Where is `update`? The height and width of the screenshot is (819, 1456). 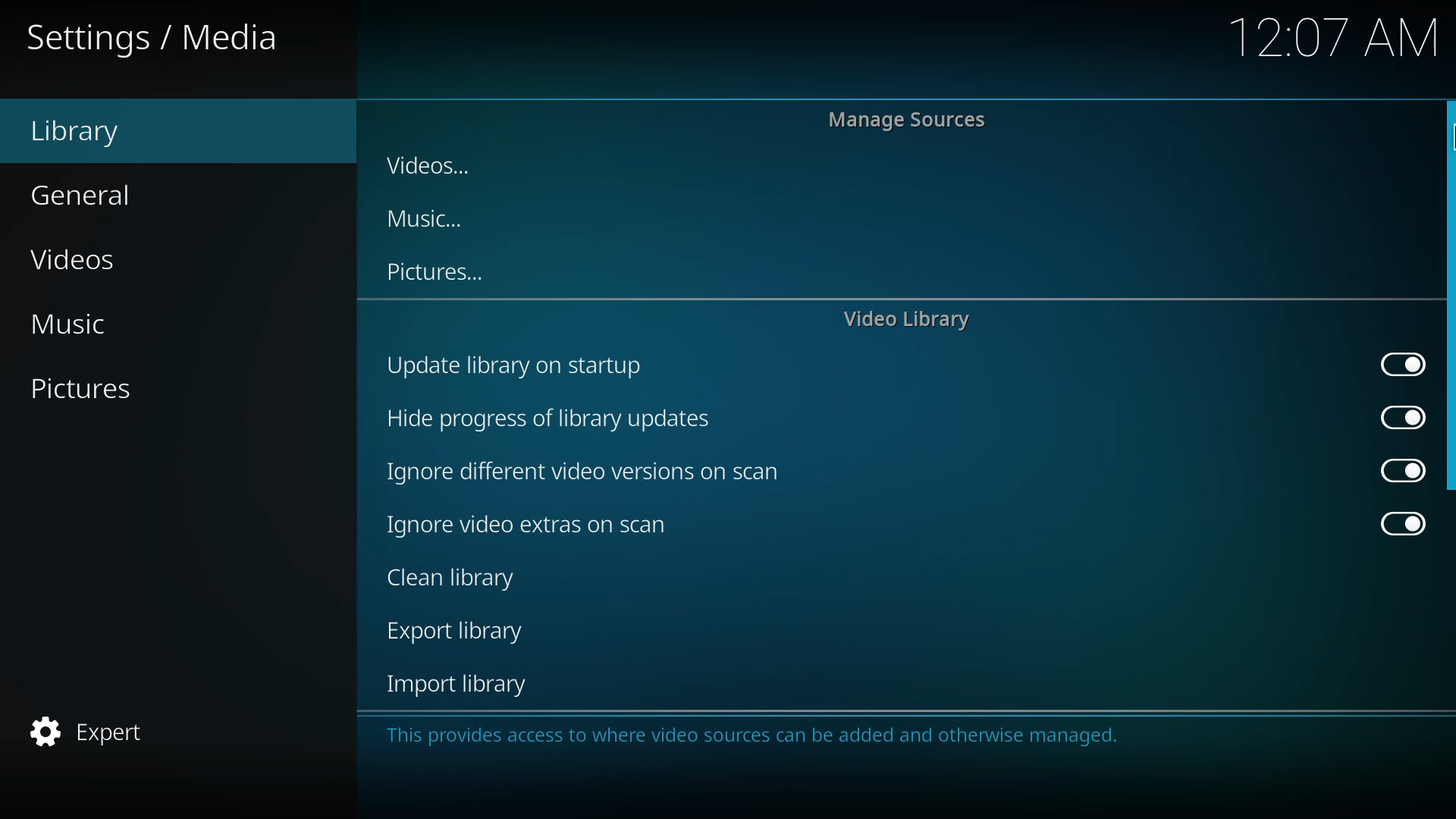
update is located at coordinates (507, 364).